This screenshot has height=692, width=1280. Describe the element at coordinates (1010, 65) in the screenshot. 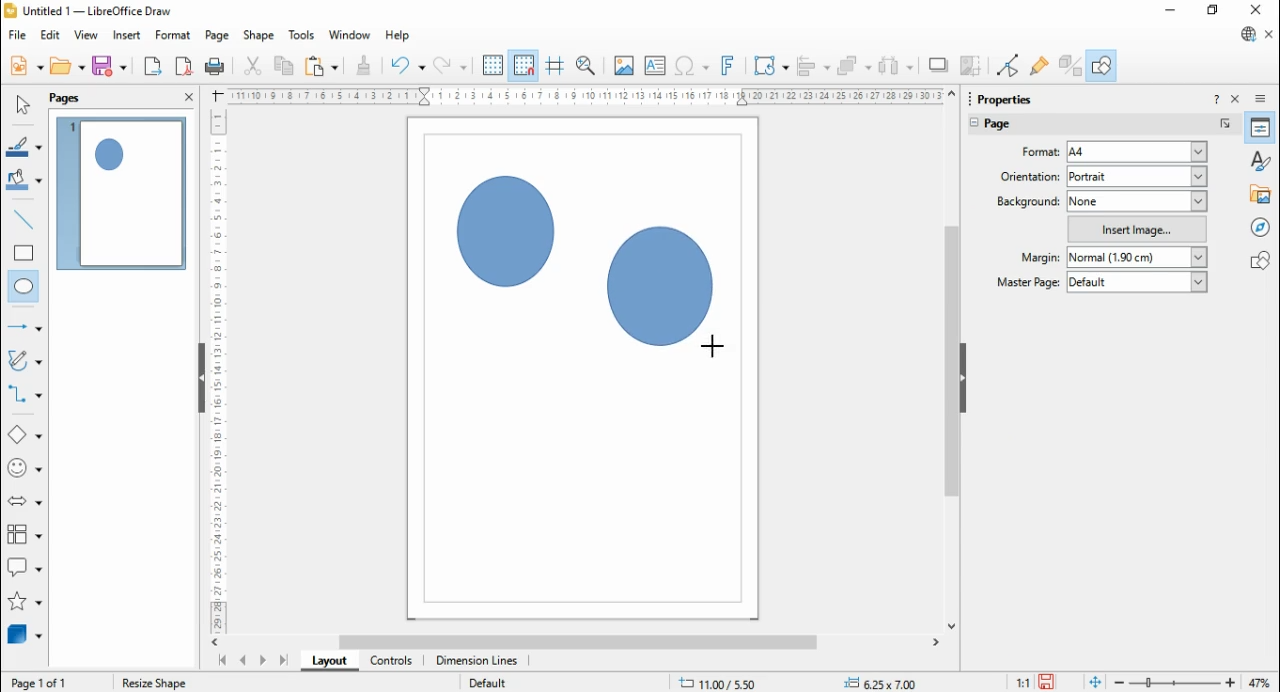

I see `toggle point edit mode` at that location.